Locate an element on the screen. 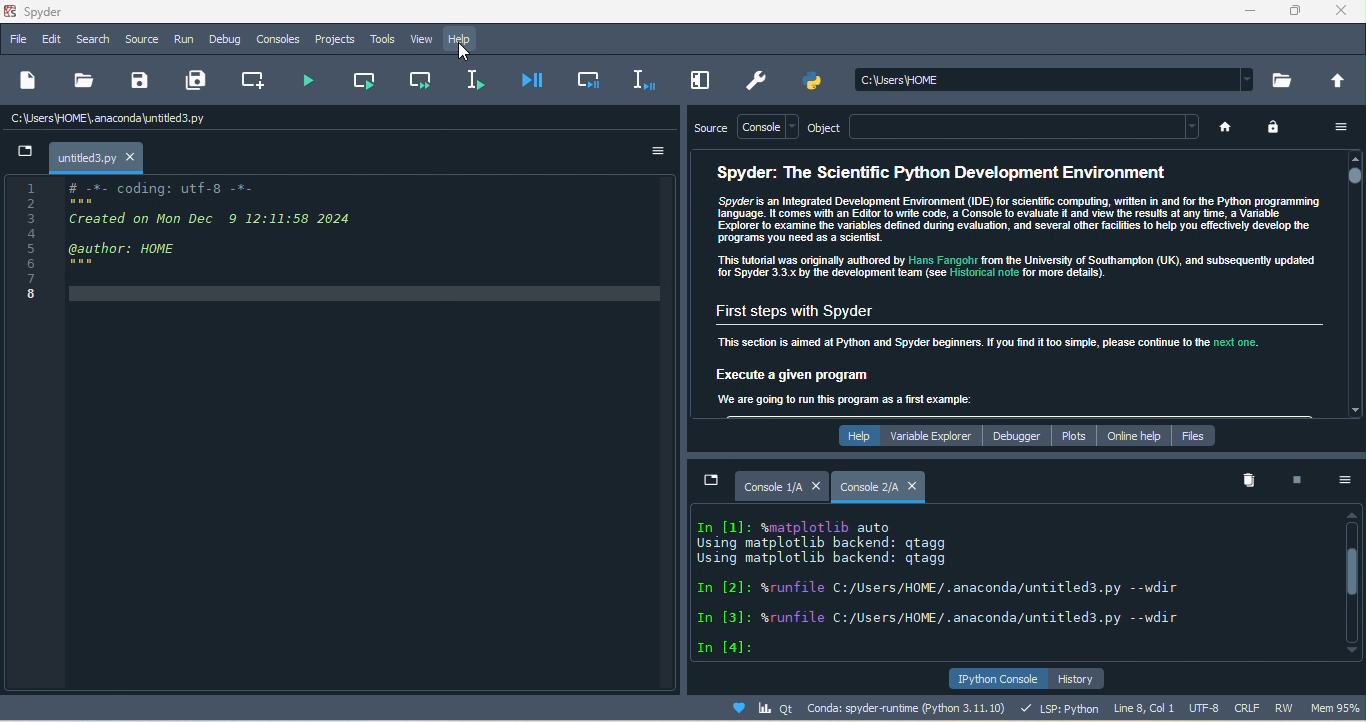 The height and width of the screenshot is (722, 1366). search bar is located at coordinates (1058, 78).